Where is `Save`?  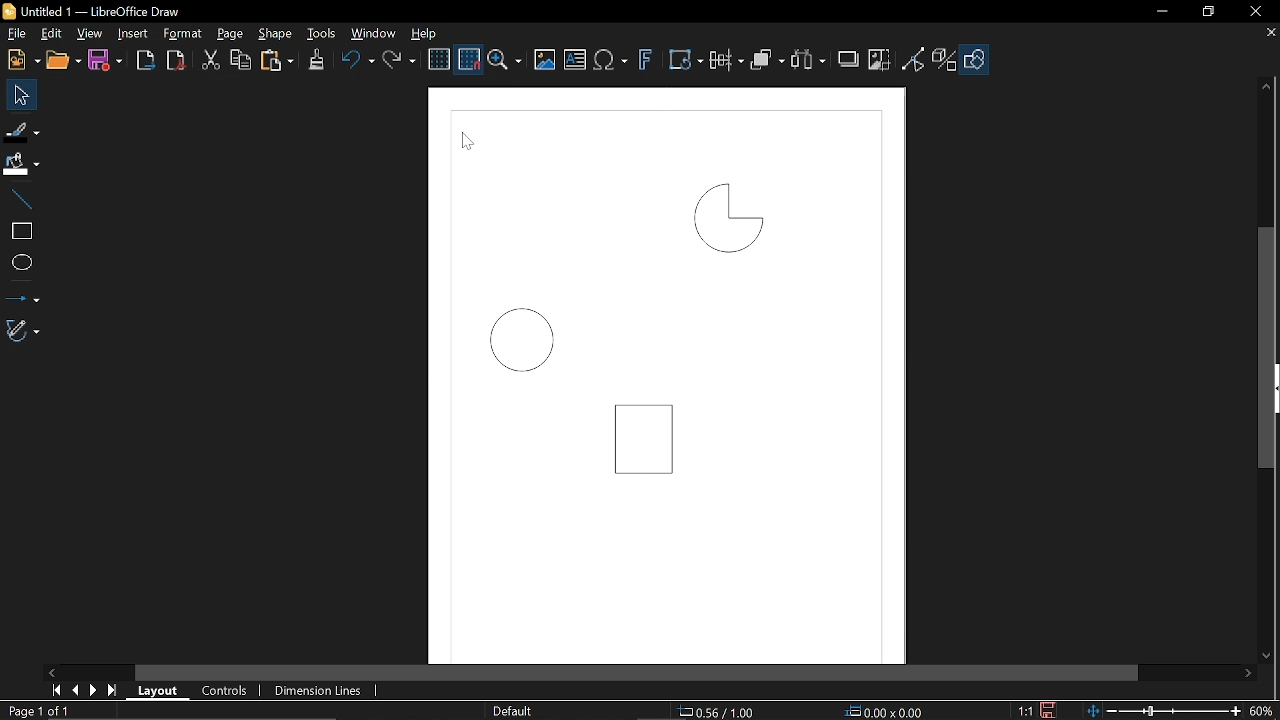 Save is located at coordinates (1045, 710).